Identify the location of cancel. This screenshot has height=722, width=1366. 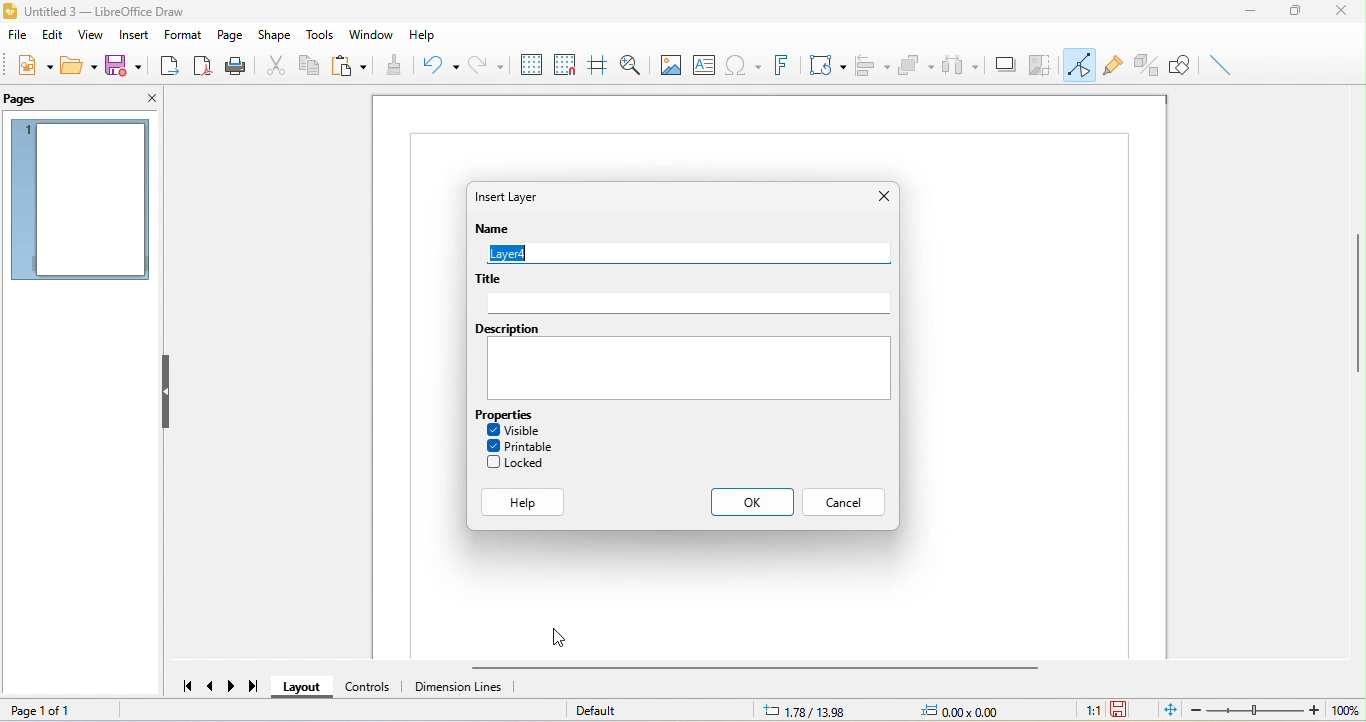
(846, 503).